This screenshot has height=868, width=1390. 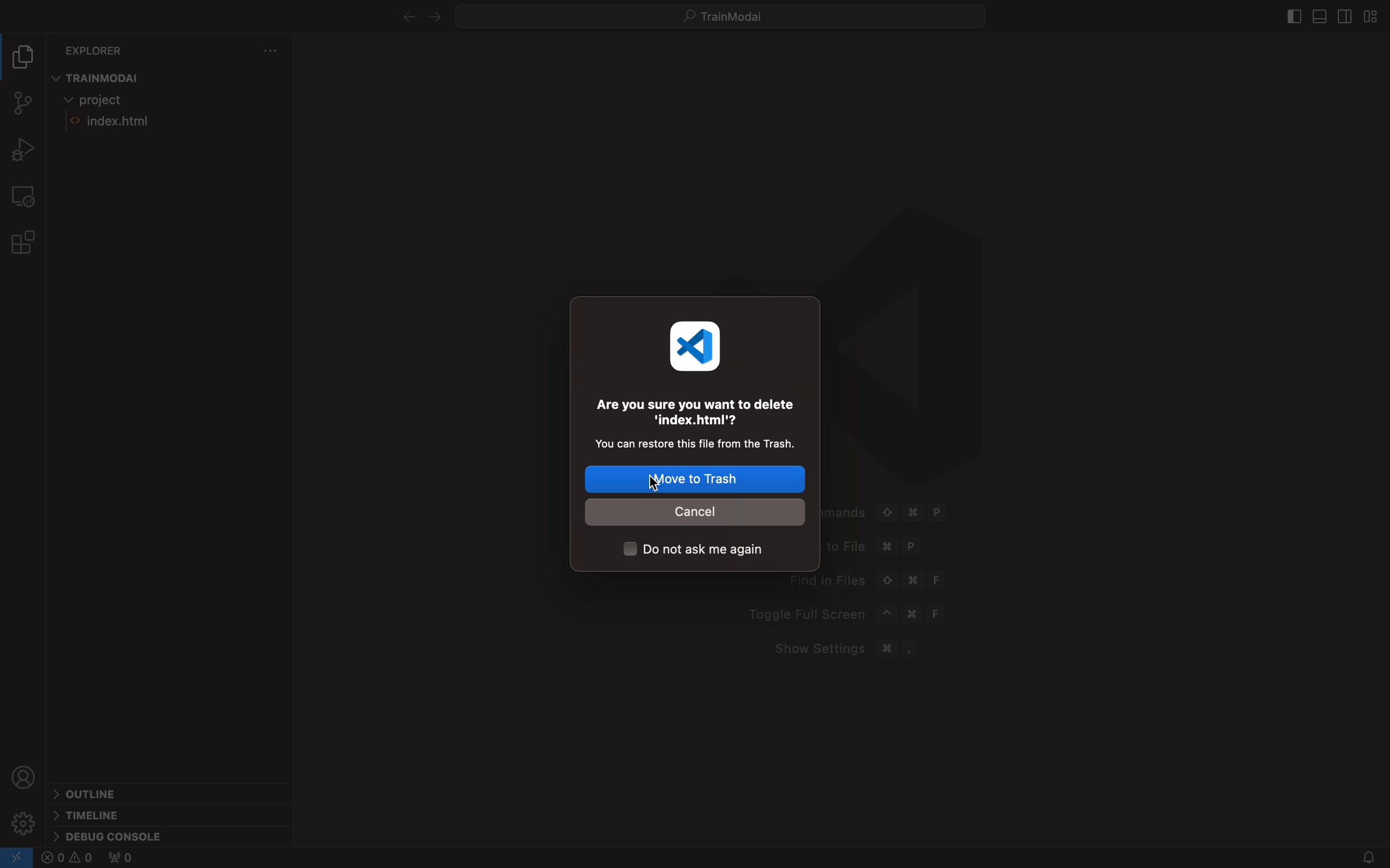 I want to click on toggle secondary bar, so click(x=1346, y=17).